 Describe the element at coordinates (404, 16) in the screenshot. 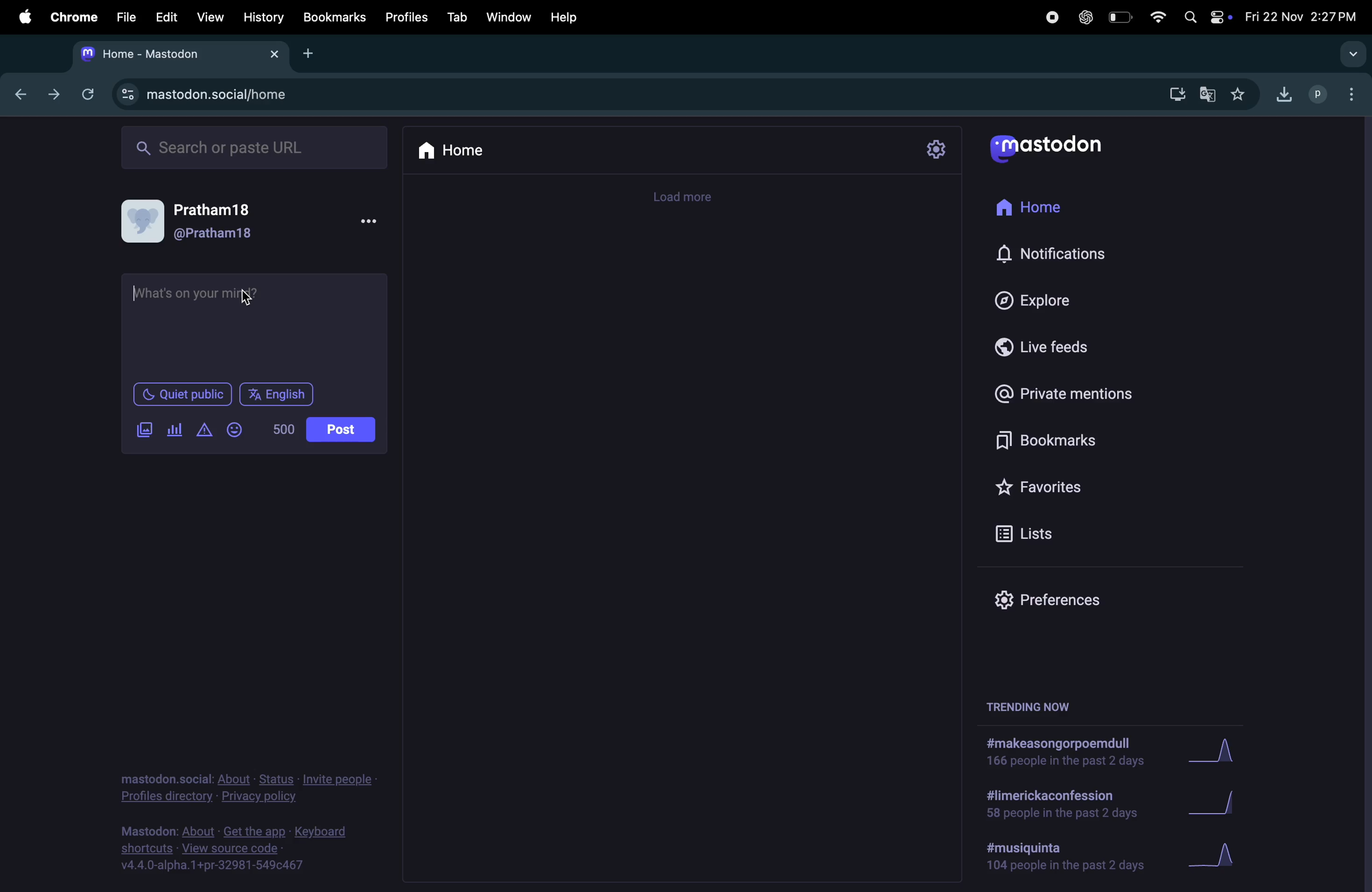

I see `profiles` at that location.